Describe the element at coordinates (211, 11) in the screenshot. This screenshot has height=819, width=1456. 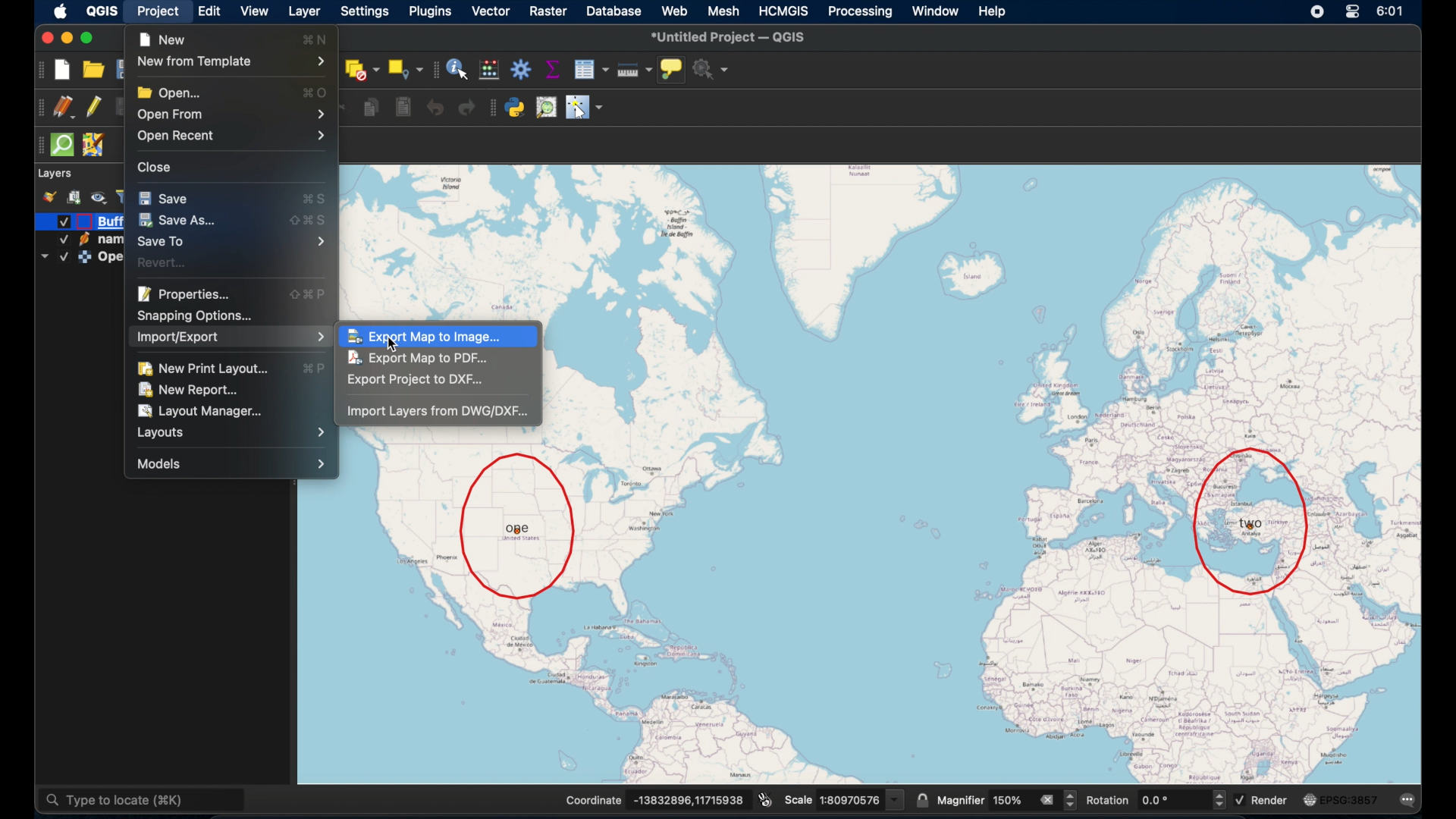
I see `edit` at that location.